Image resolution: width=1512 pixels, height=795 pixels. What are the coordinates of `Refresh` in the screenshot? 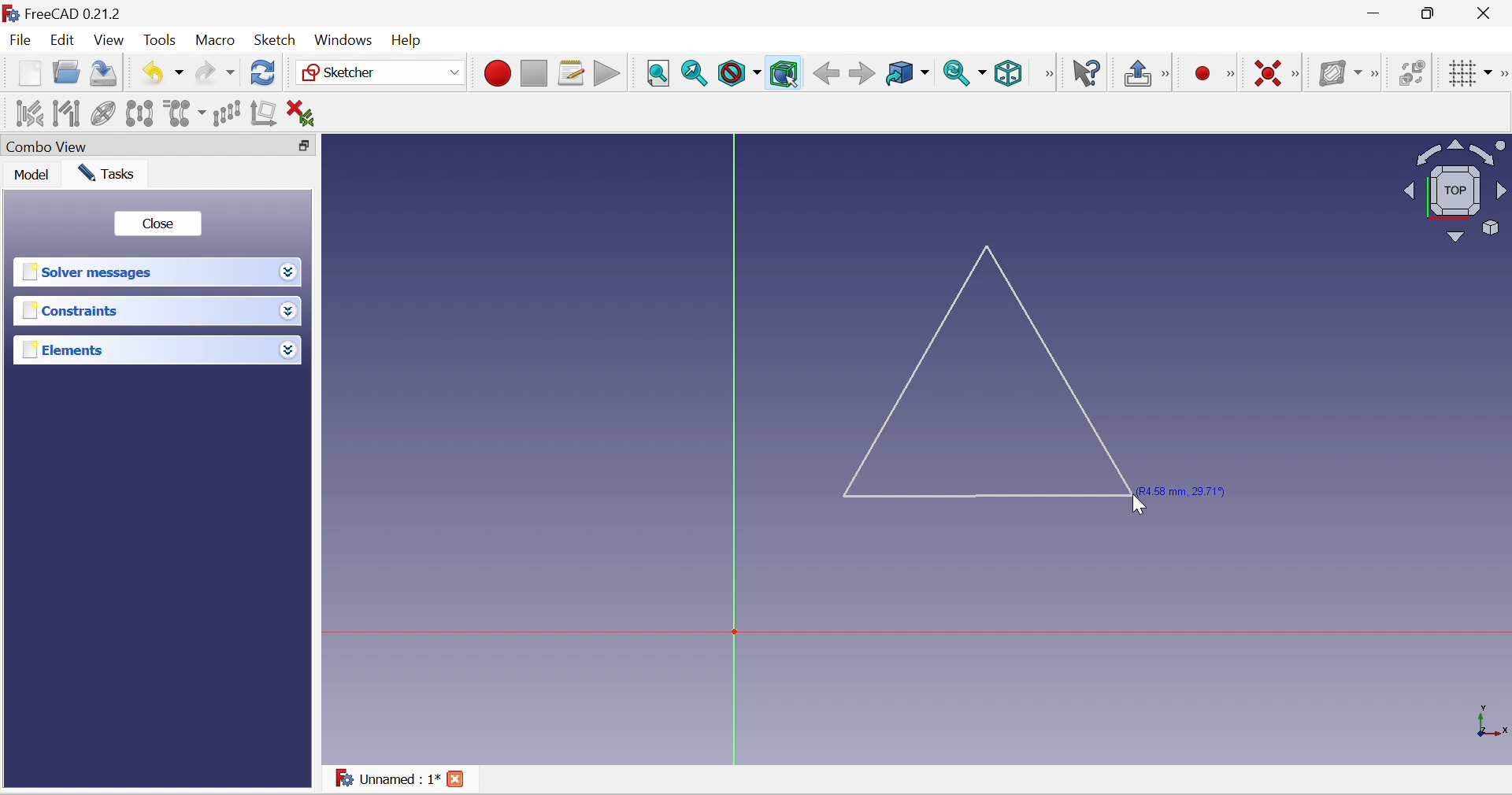 It's located at (263, 74).